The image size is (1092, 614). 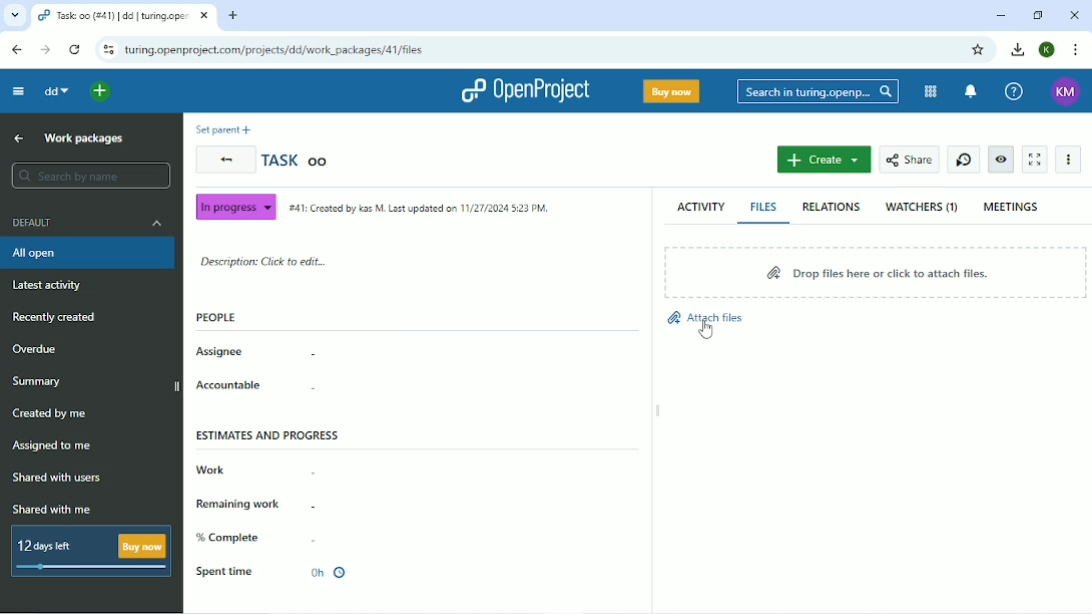 I want to click on , so click(x=707, y=328).